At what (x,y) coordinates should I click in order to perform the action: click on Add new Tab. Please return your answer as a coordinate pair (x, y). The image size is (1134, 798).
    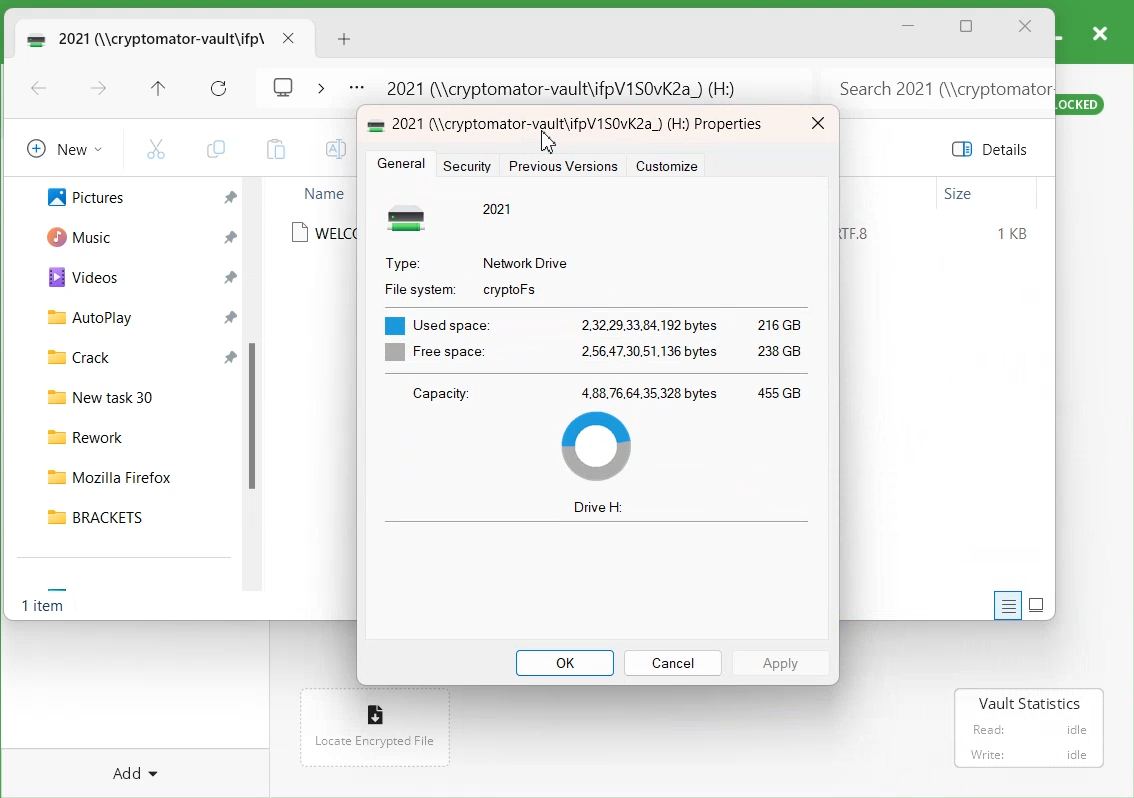
    Looking at the image, I should click on (347, 39).